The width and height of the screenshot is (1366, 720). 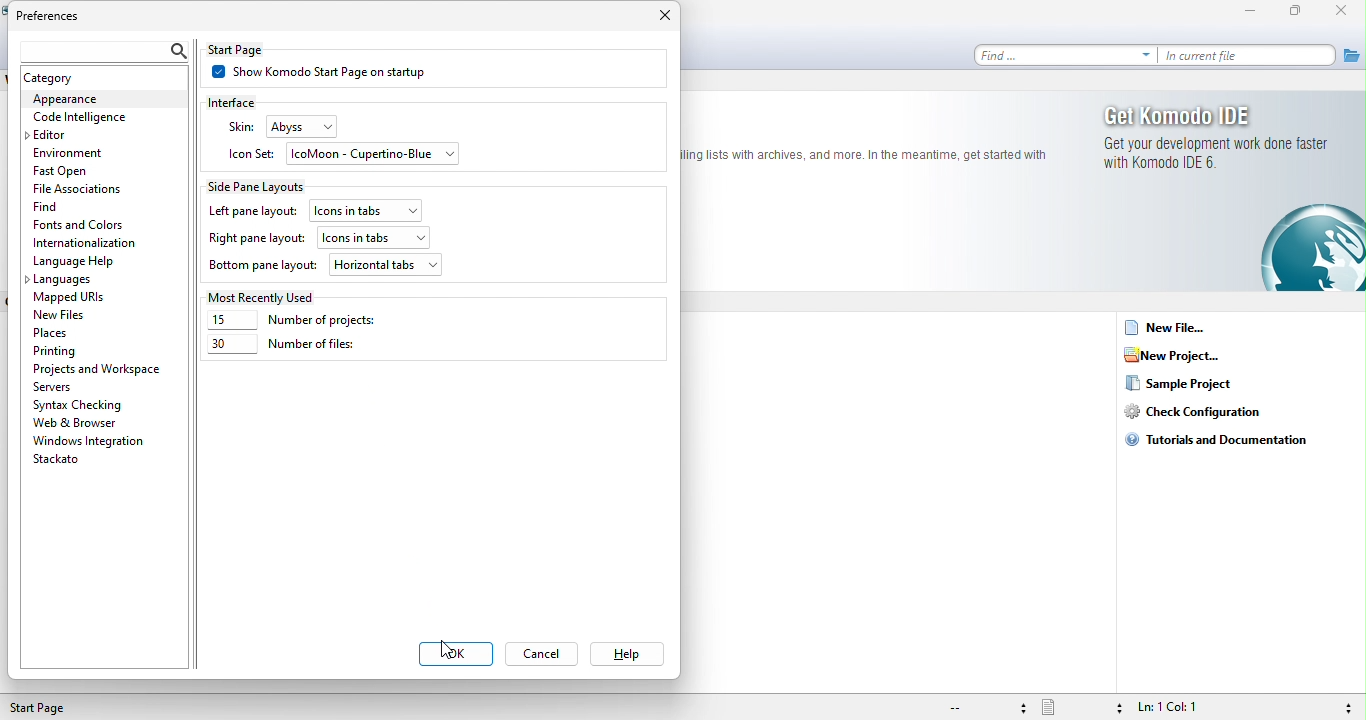 What do you see at coordinates (99, 369) in the screenshot?
I see `projects and workspace` at bounding box center [99, 369].